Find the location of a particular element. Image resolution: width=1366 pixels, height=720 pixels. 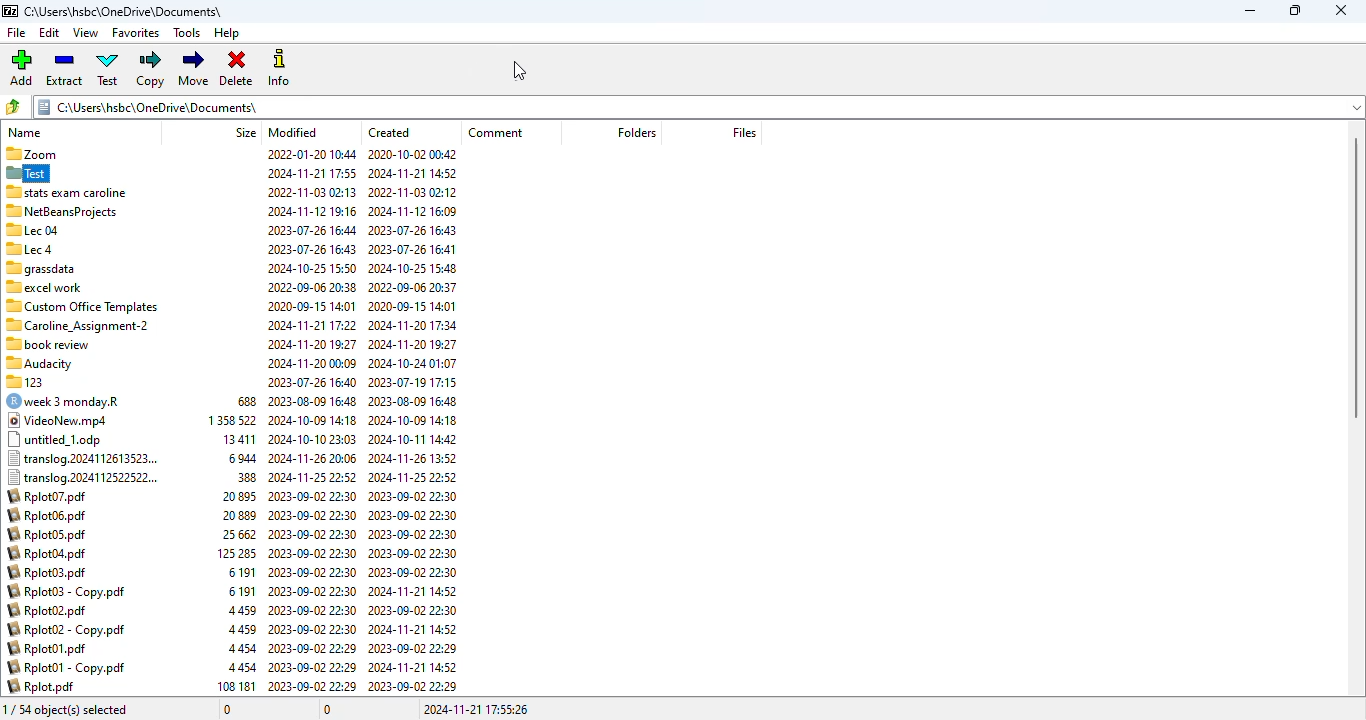

stats exam caroline is located at coordinates (67, 192).